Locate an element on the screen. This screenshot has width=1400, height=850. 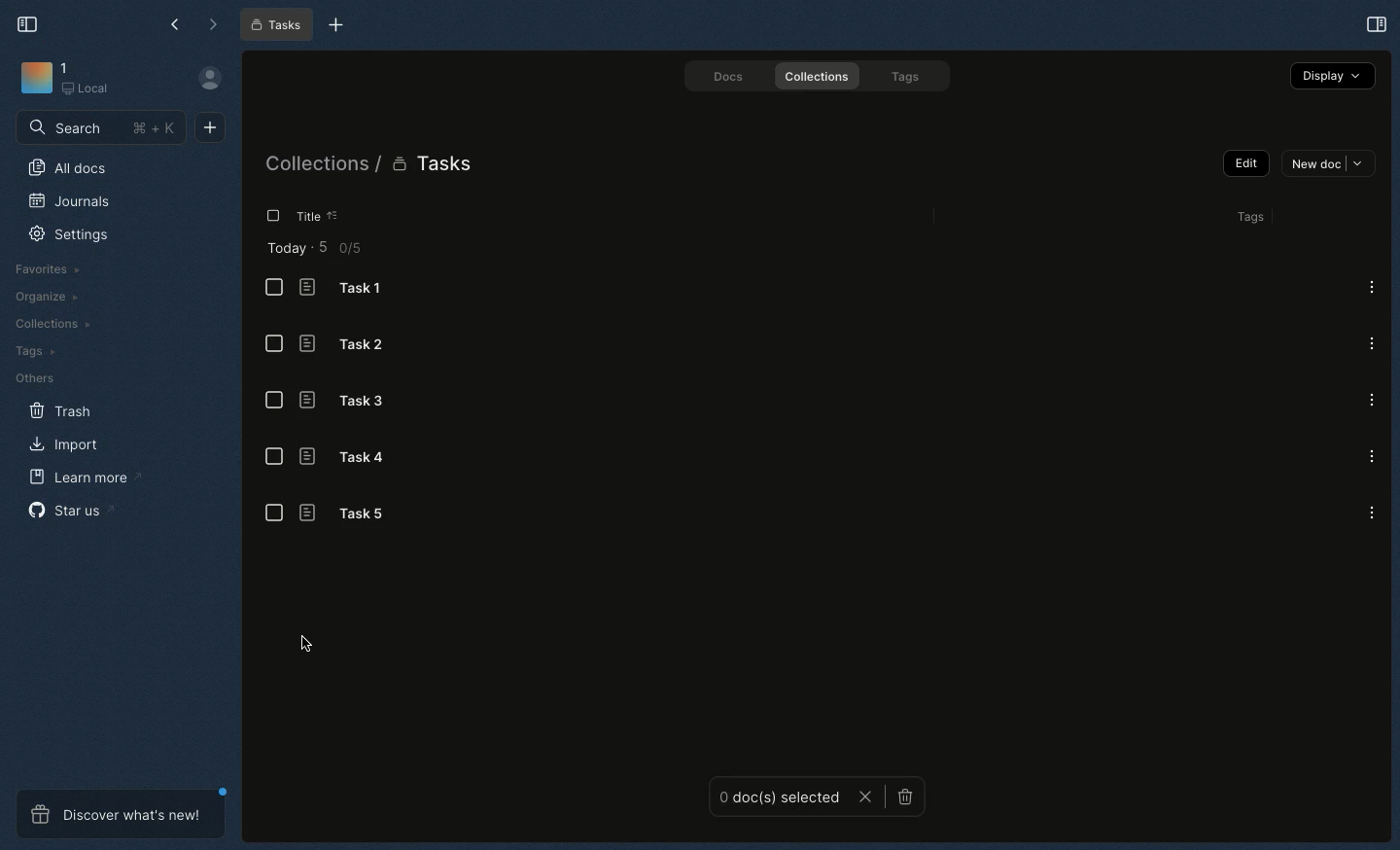
Open right panel is located at coordinates (1378, 24).